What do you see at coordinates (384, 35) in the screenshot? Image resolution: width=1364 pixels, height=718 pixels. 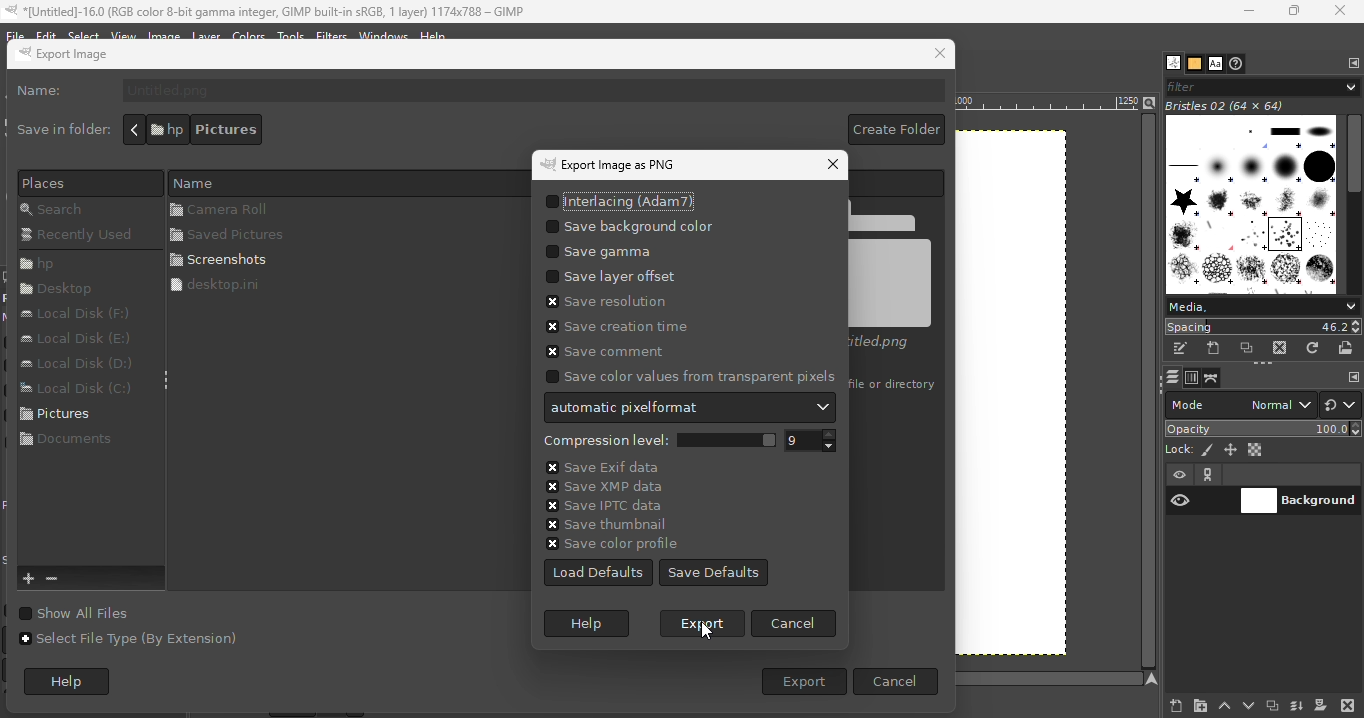 I see `Windows` at bounding box center [384, 35].